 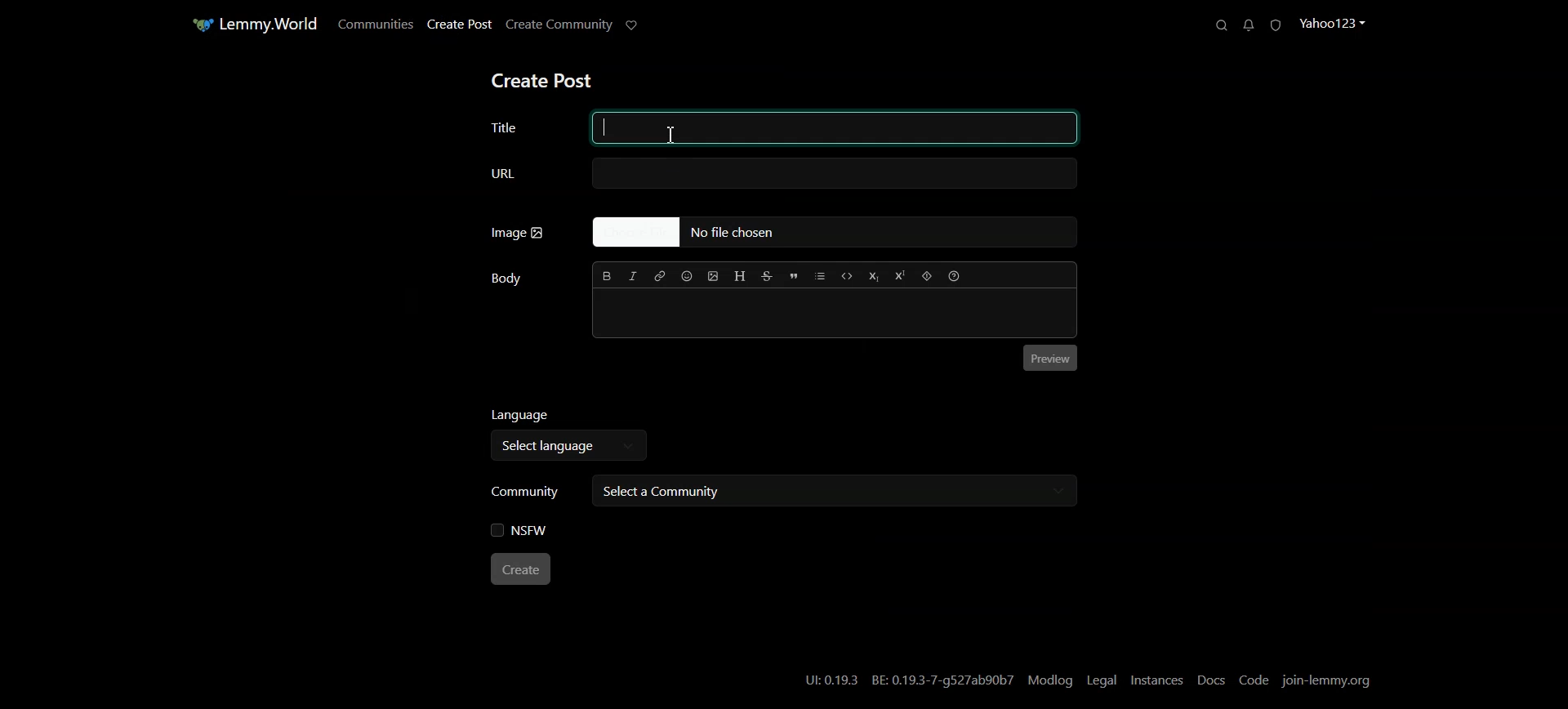 What do you see at coordinates (768, 276) in the screenshot?
I see `Strikethrough` at bounding box center [768, 276].